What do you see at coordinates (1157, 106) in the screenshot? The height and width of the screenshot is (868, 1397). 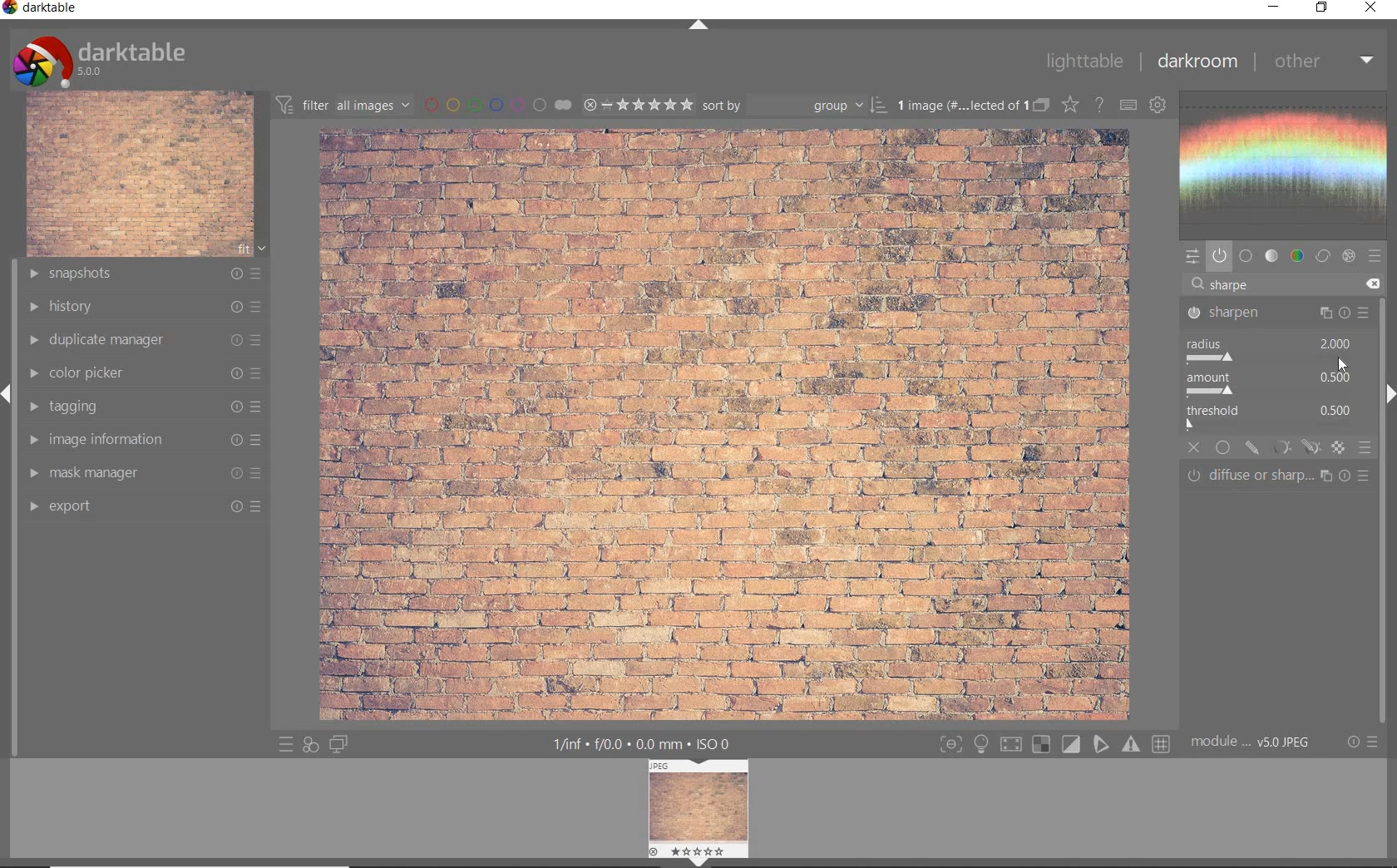 I see `show global preference` at bounding box center [1157, 106].